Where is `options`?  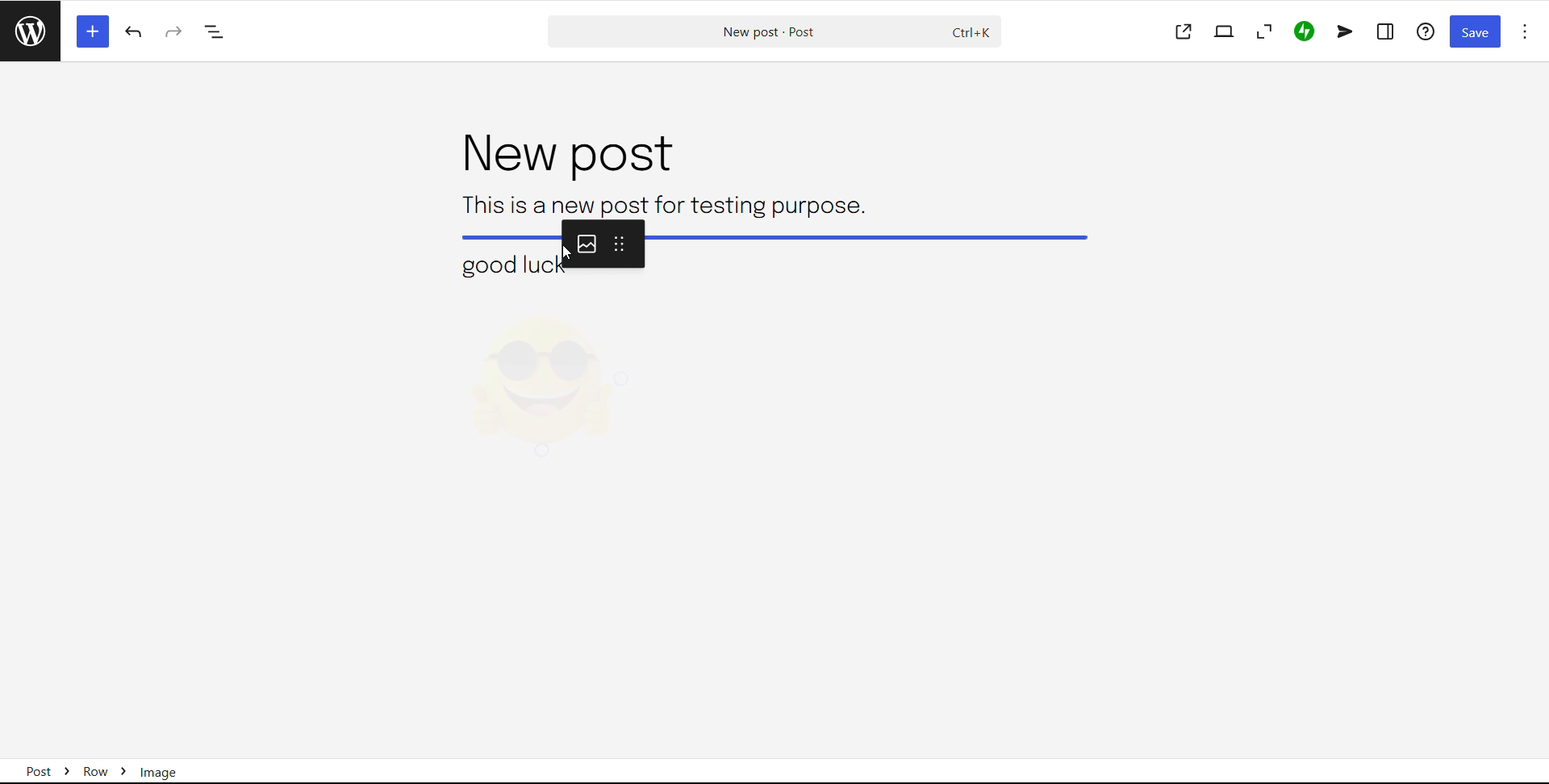
options is located at coordinates (1525, 31).